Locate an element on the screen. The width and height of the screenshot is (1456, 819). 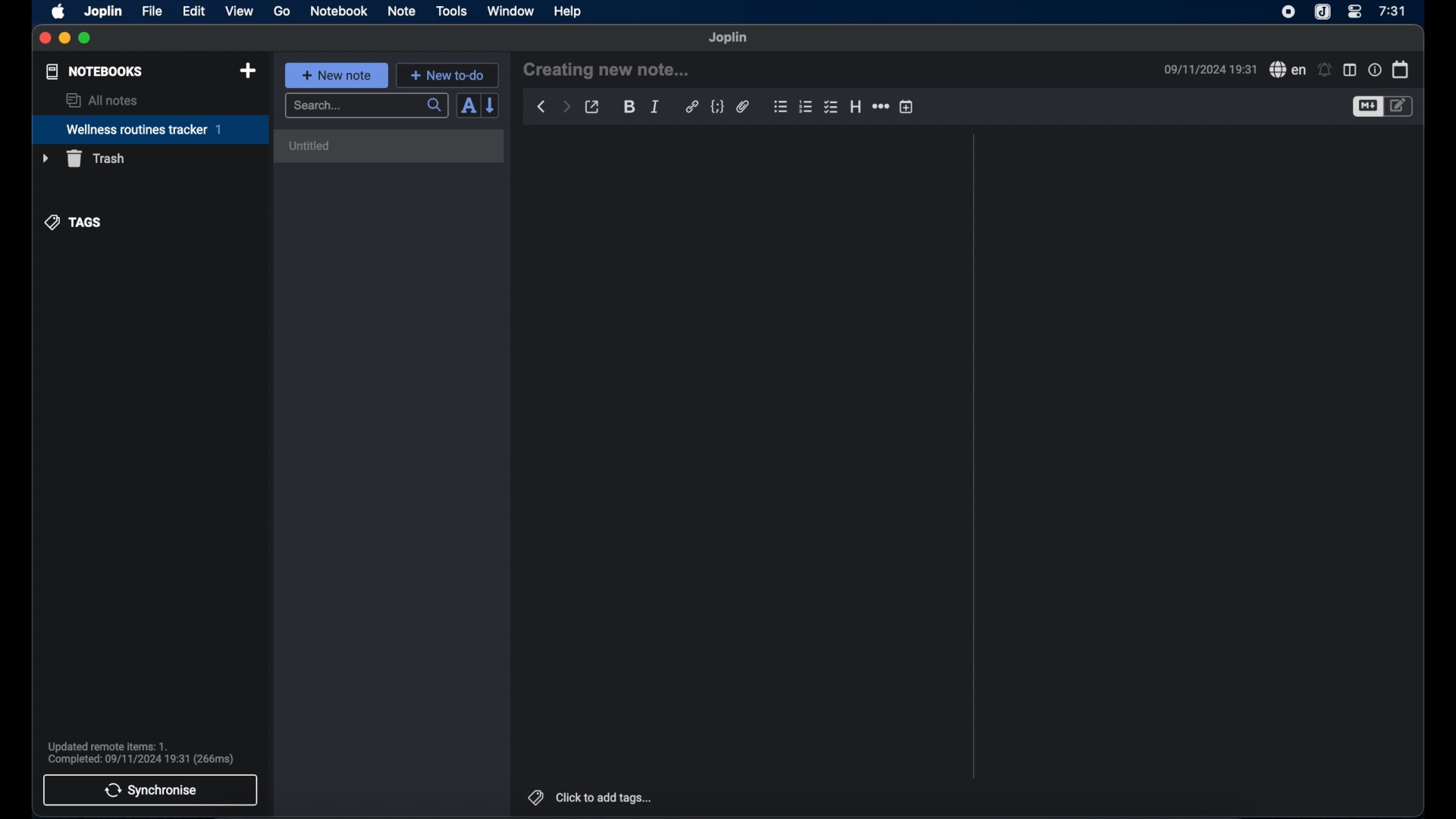
click to add tags is located at coordinates (605, 797).